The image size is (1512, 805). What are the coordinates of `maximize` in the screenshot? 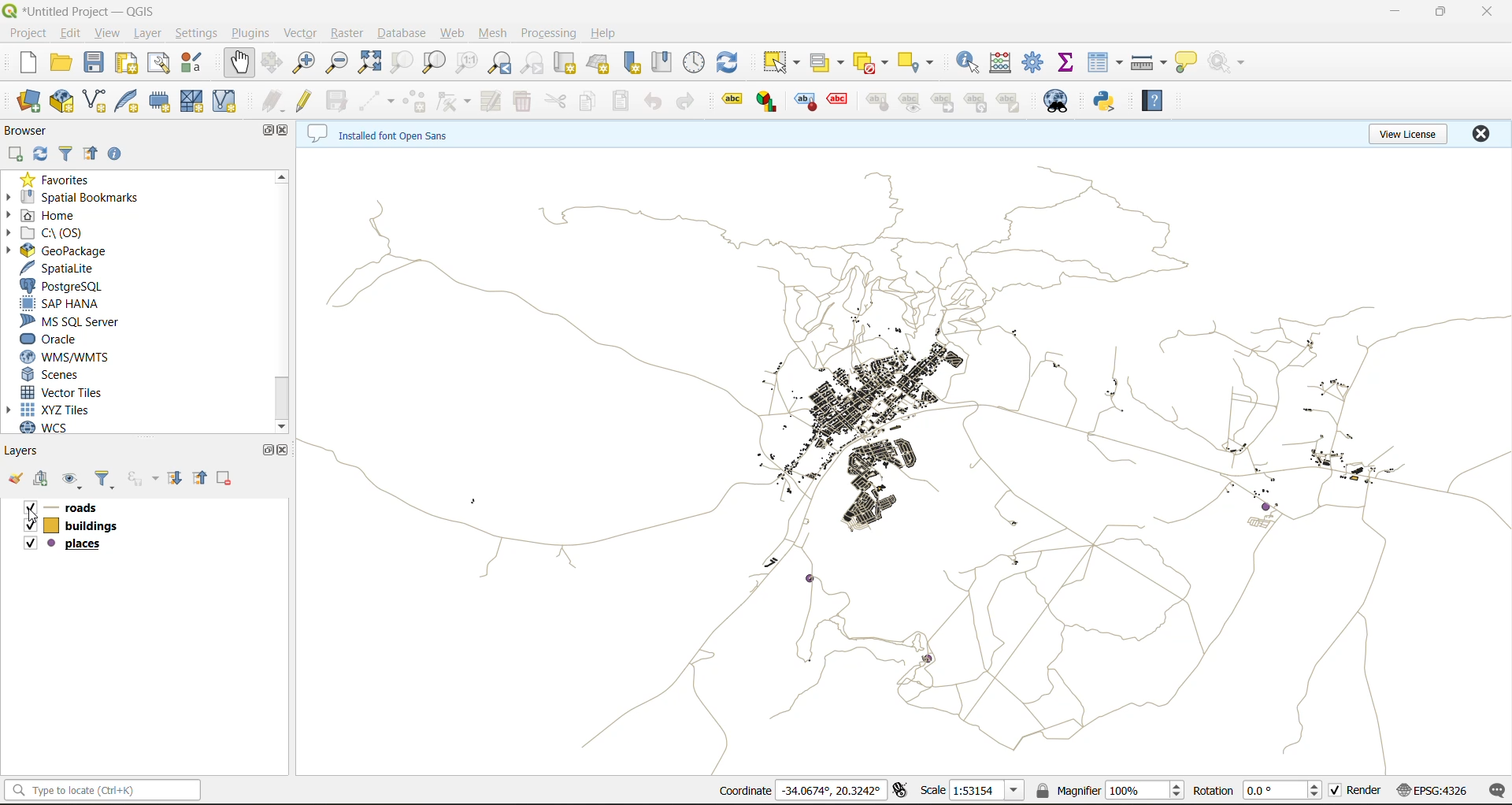 It's located at (1451, 12).